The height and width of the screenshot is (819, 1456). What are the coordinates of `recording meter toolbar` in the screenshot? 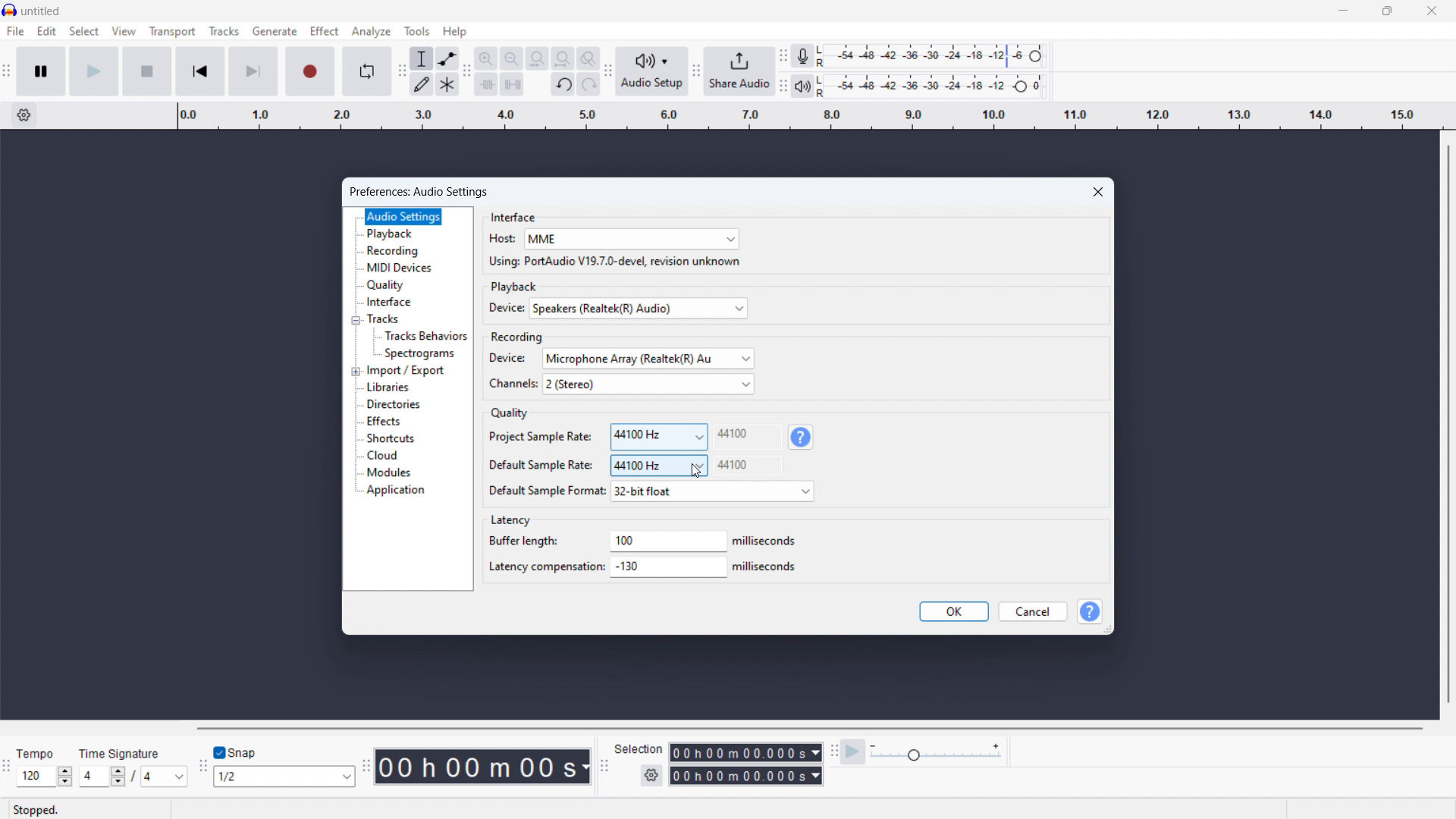 It's located at (782, 55).